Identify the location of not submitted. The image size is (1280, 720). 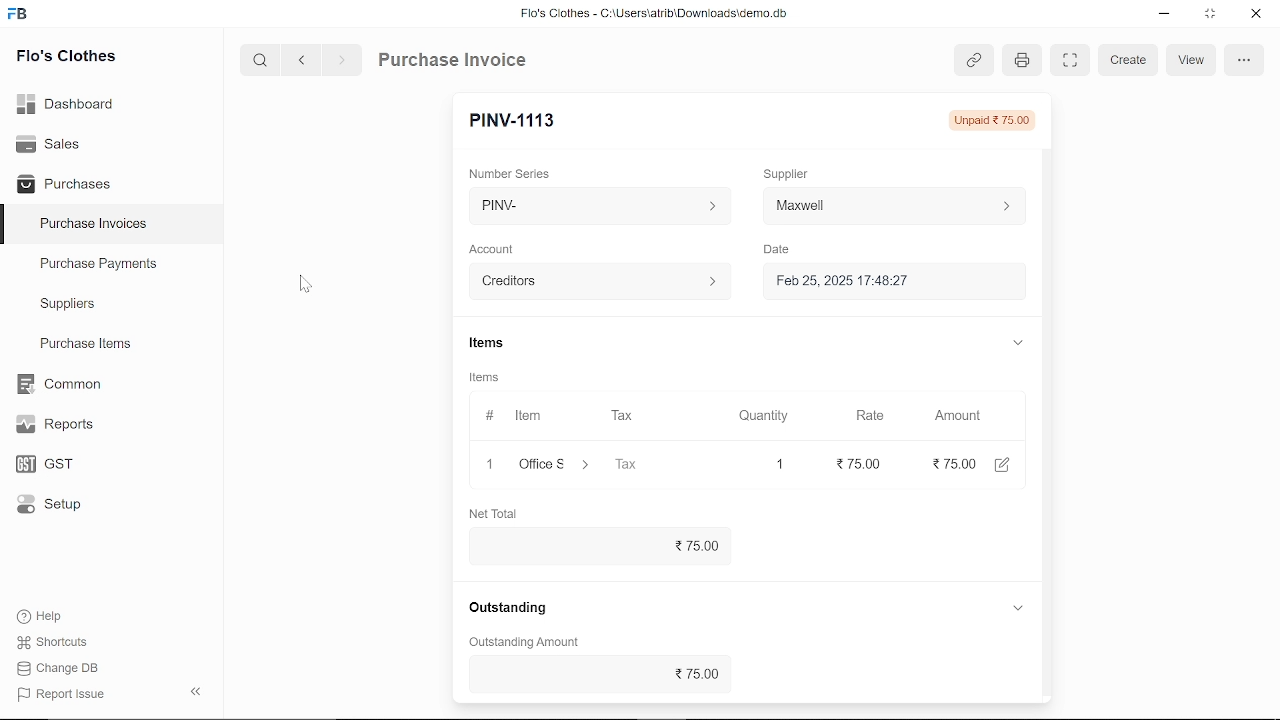
(990, 120).